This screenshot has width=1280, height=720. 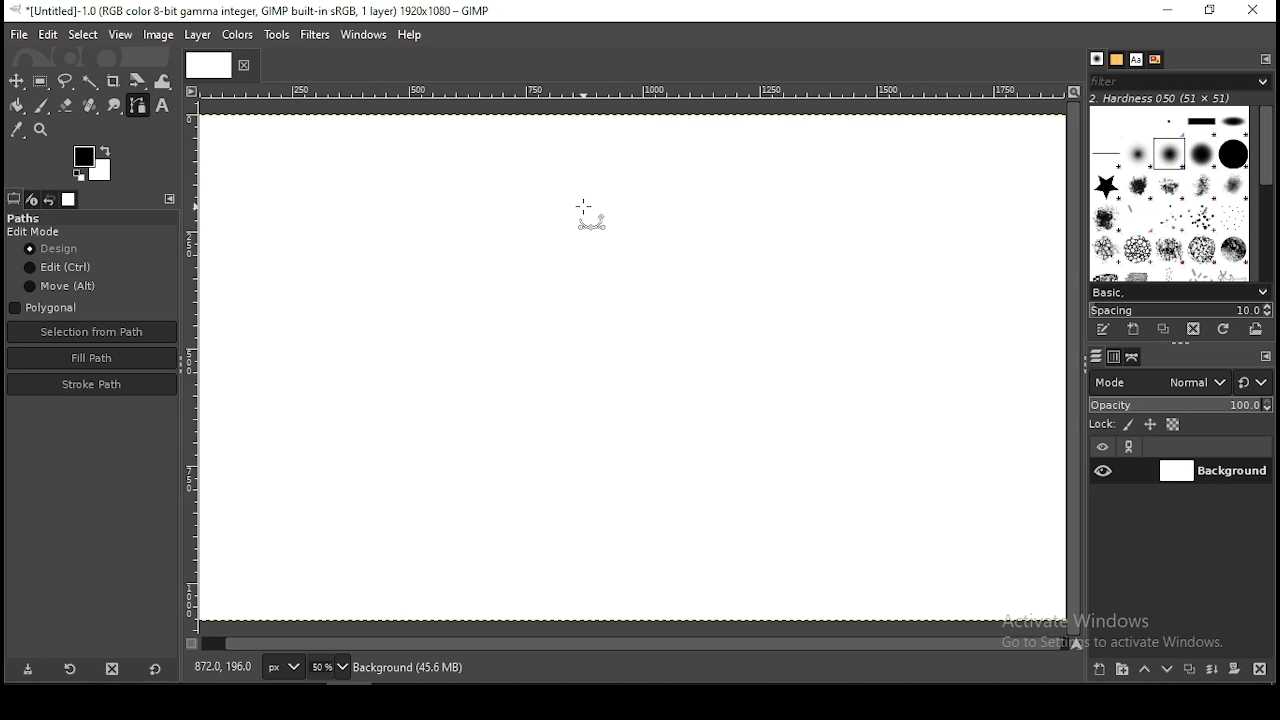 What do you see at coordinates (29, 218) in the screenshot?
I see `paths` at bounding box center [29, 218].